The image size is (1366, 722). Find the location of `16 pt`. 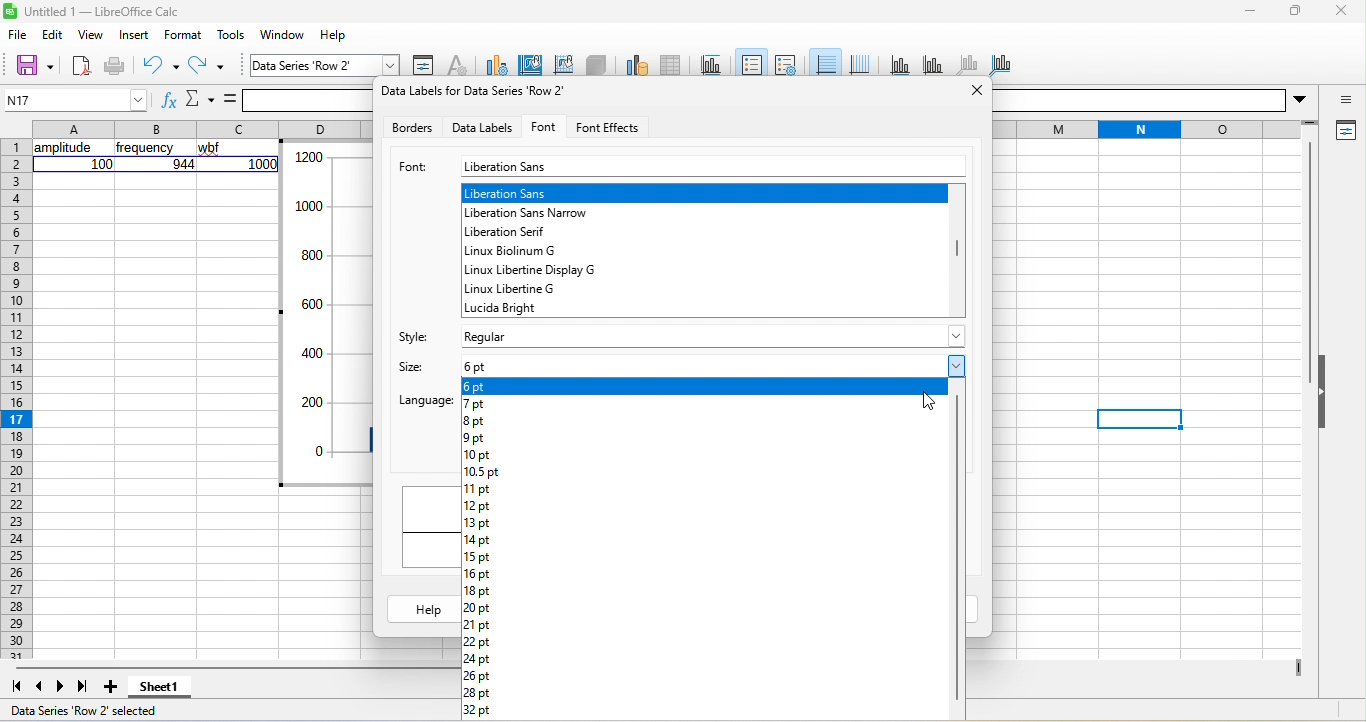

16 pt is located at coordinates (478, 576).